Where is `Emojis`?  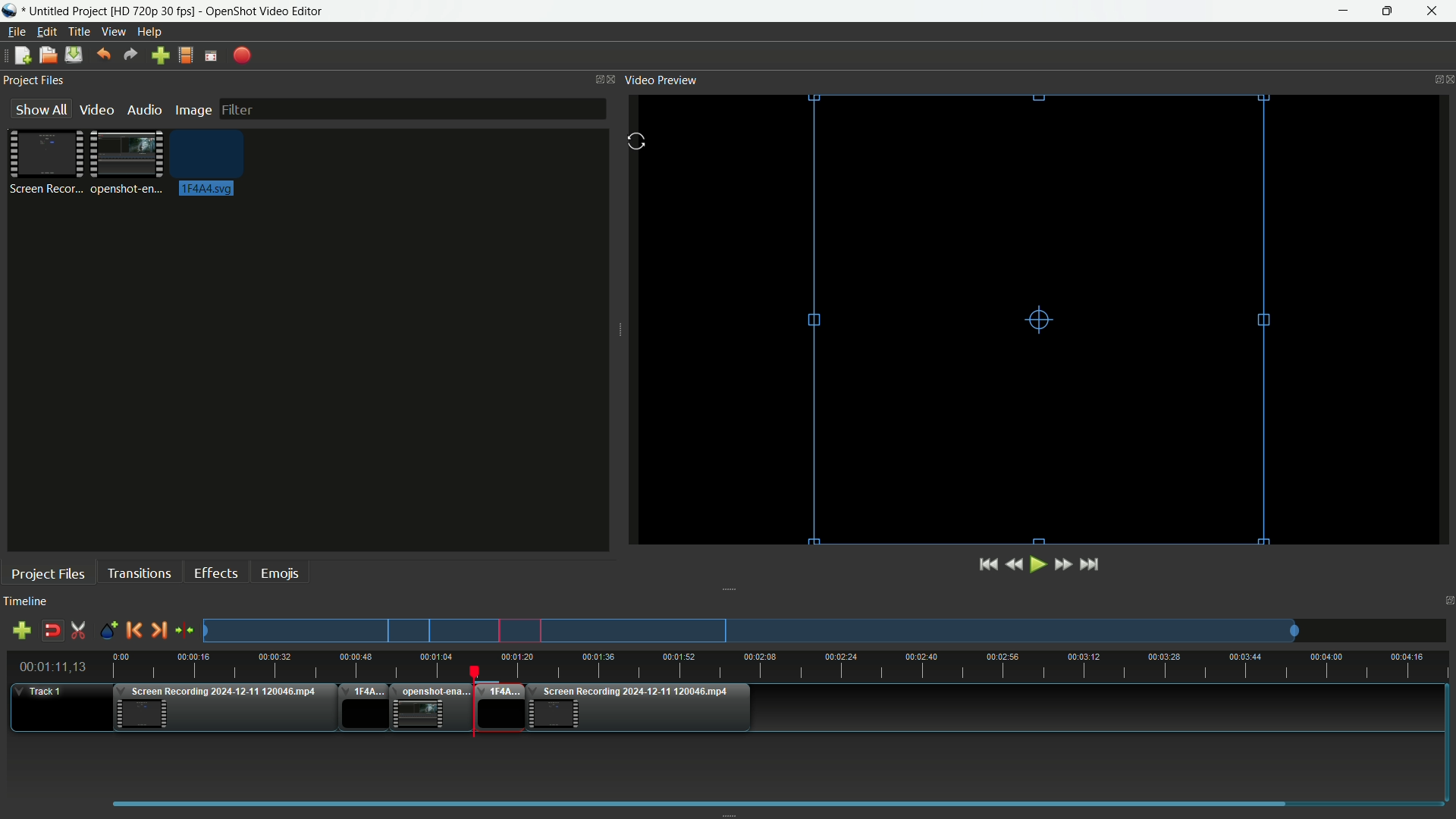
Emojis is located at coordinates (280, 572).